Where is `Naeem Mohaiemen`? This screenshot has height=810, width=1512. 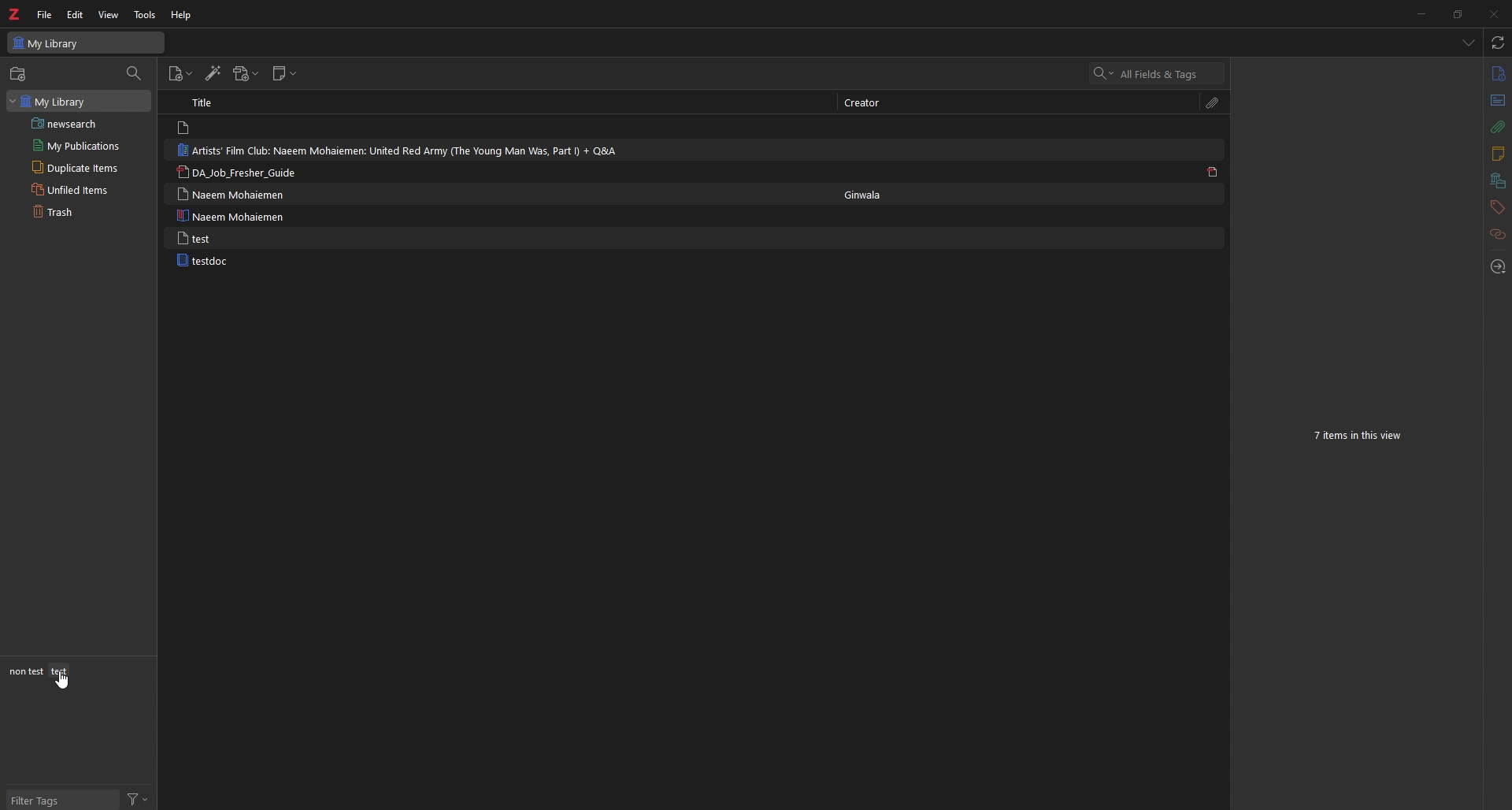 Naeem Mohaiemen is located at coordinates (230, 217).